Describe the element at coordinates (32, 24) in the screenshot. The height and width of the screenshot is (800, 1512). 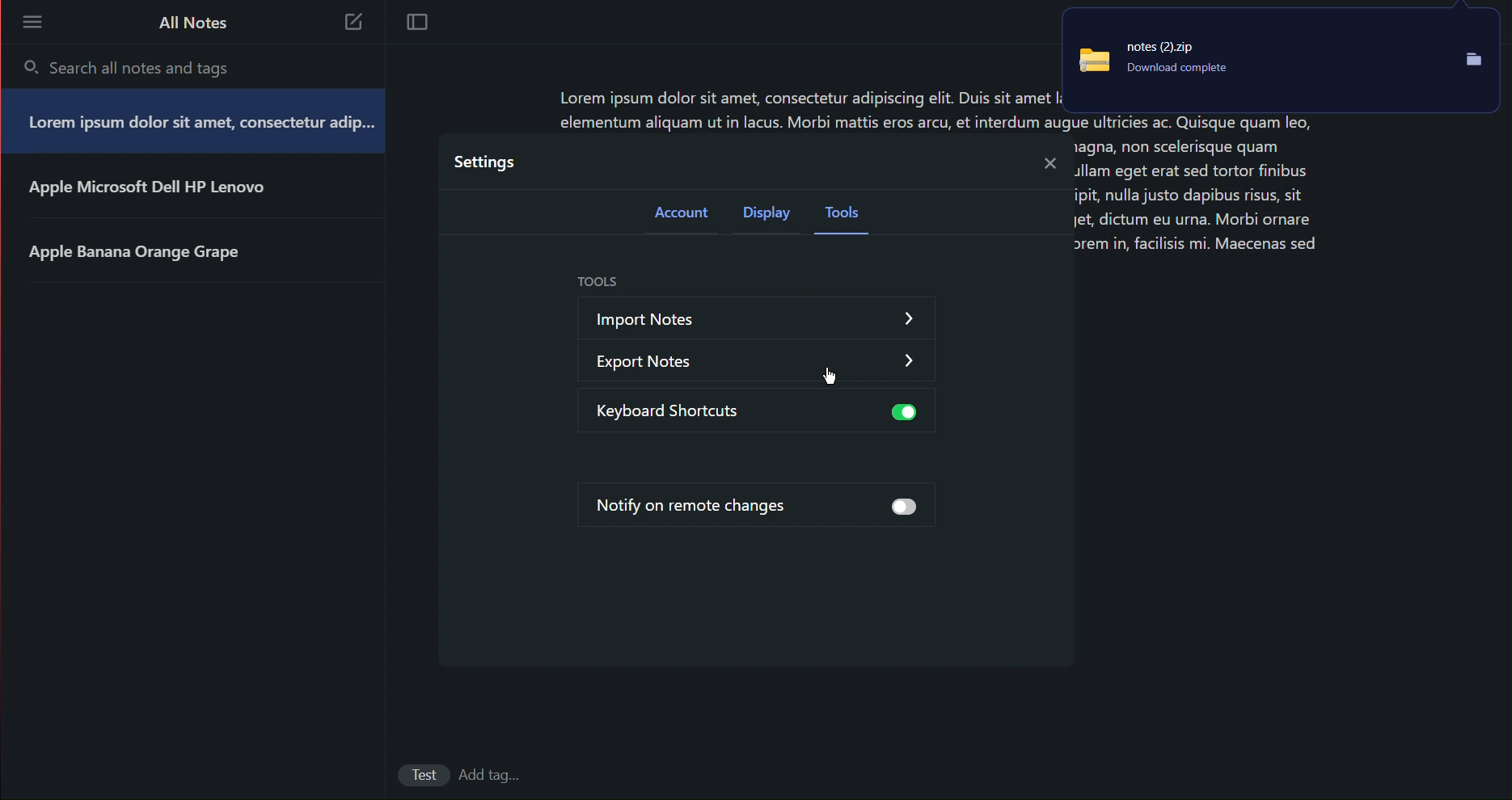
I see `More` at that location.